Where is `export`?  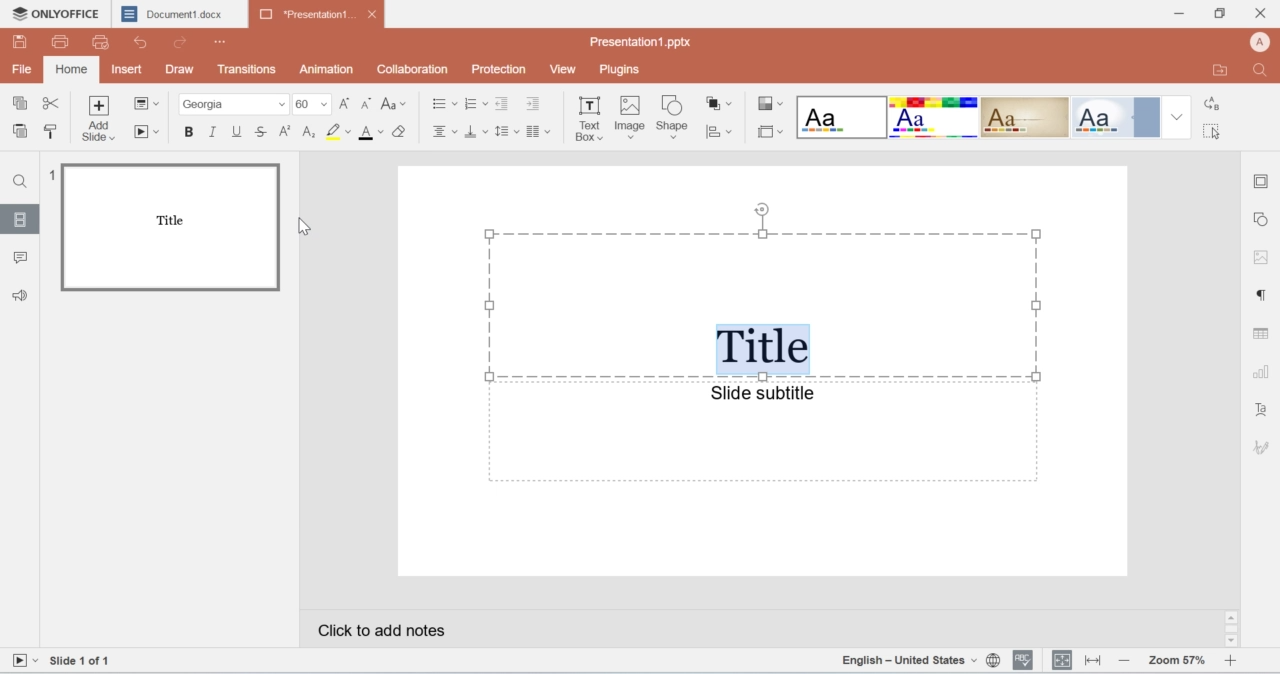 export is located at coordinates (1223, 70).